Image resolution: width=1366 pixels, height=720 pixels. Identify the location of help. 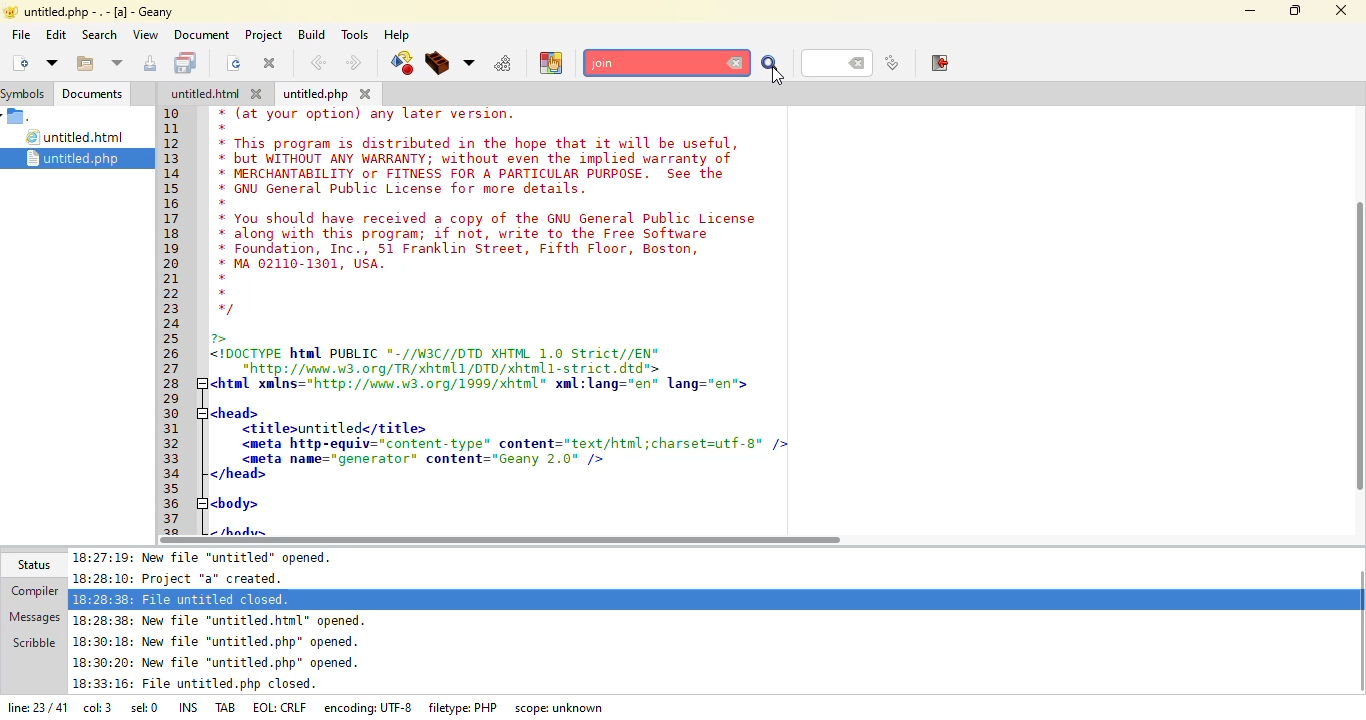
(396, 35).